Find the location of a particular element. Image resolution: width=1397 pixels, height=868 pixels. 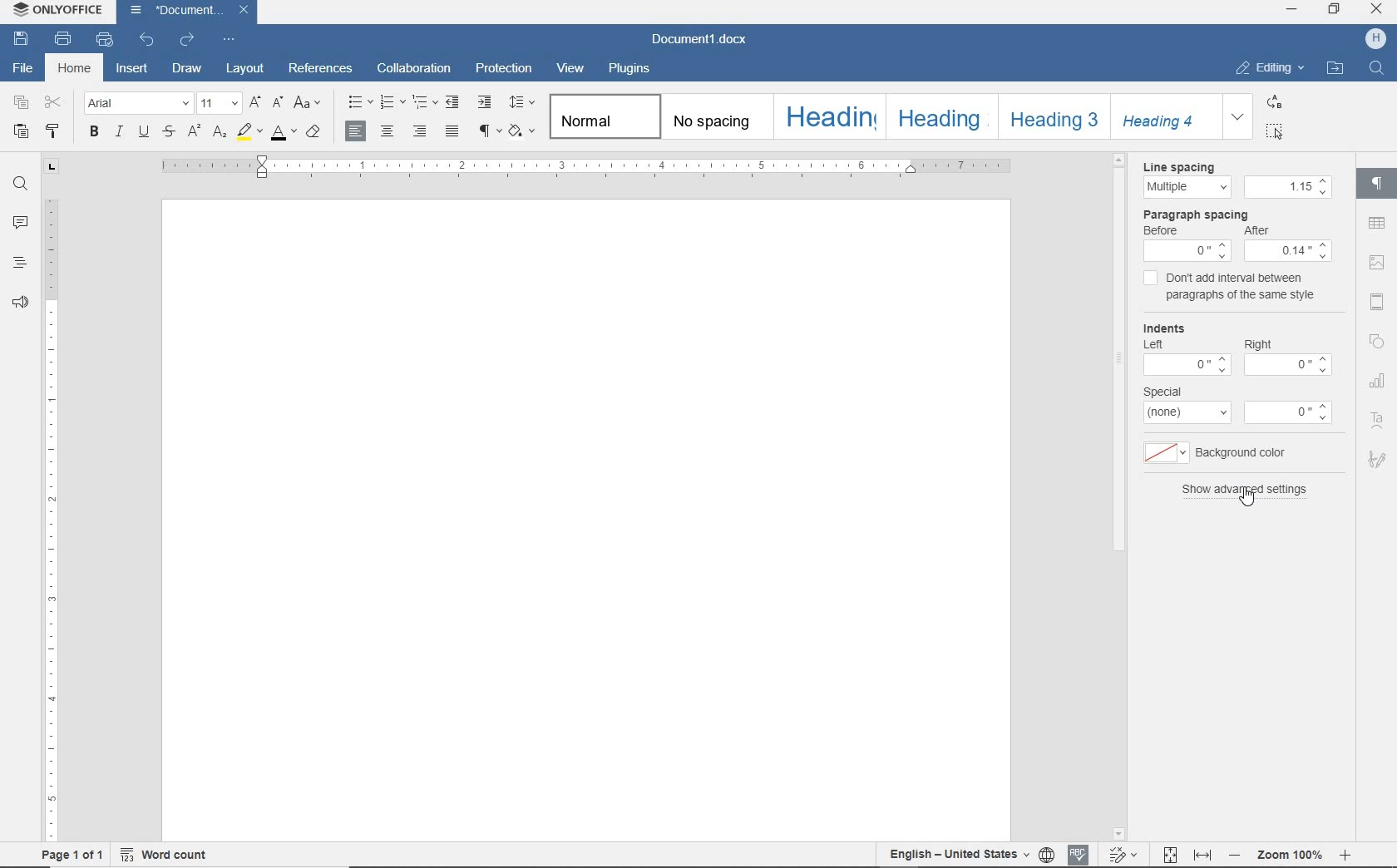

justified is located at coordinates (452, 131).